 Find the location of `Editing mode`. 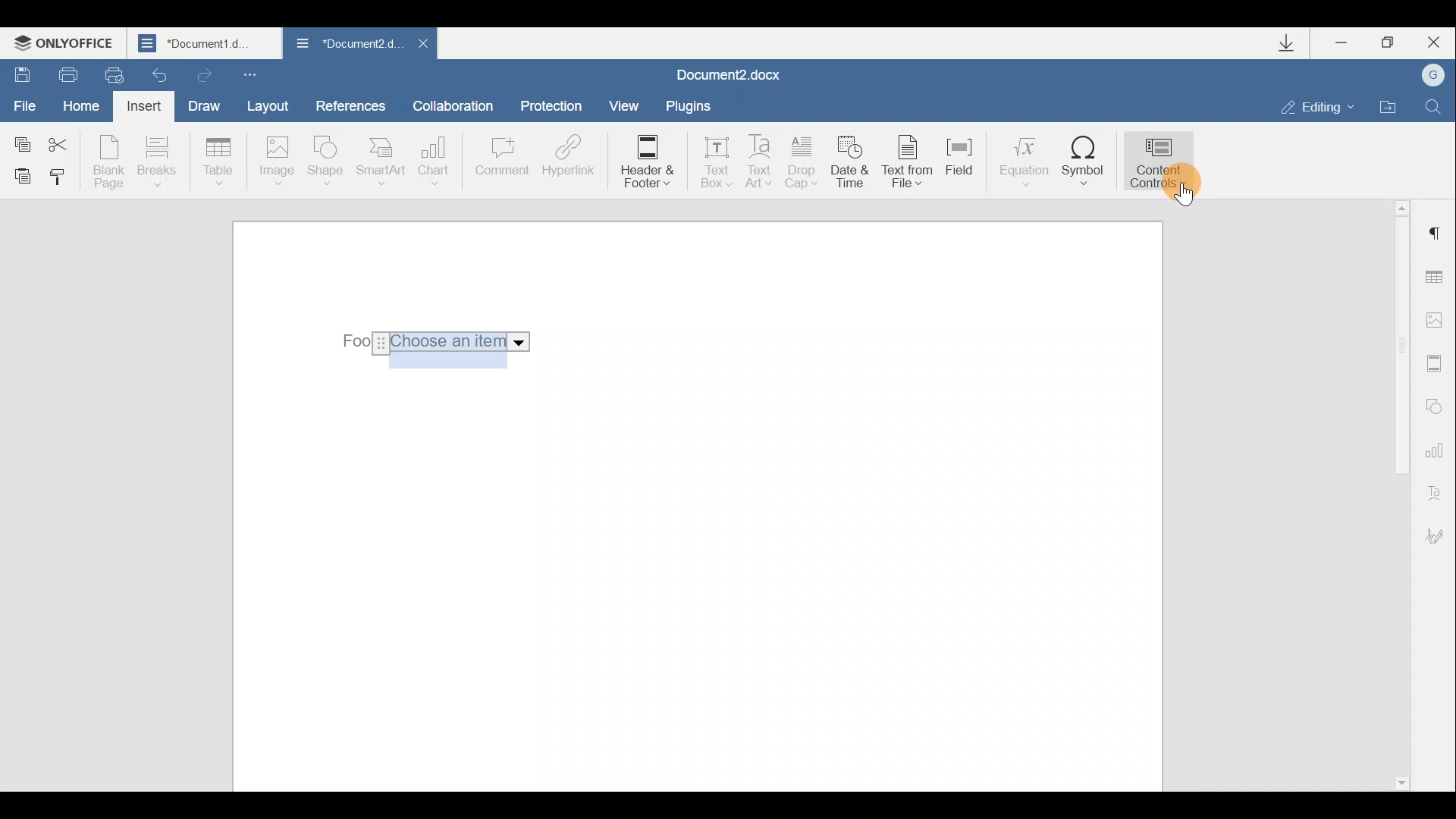

Editing mode is located at coordinates (1318, 106).